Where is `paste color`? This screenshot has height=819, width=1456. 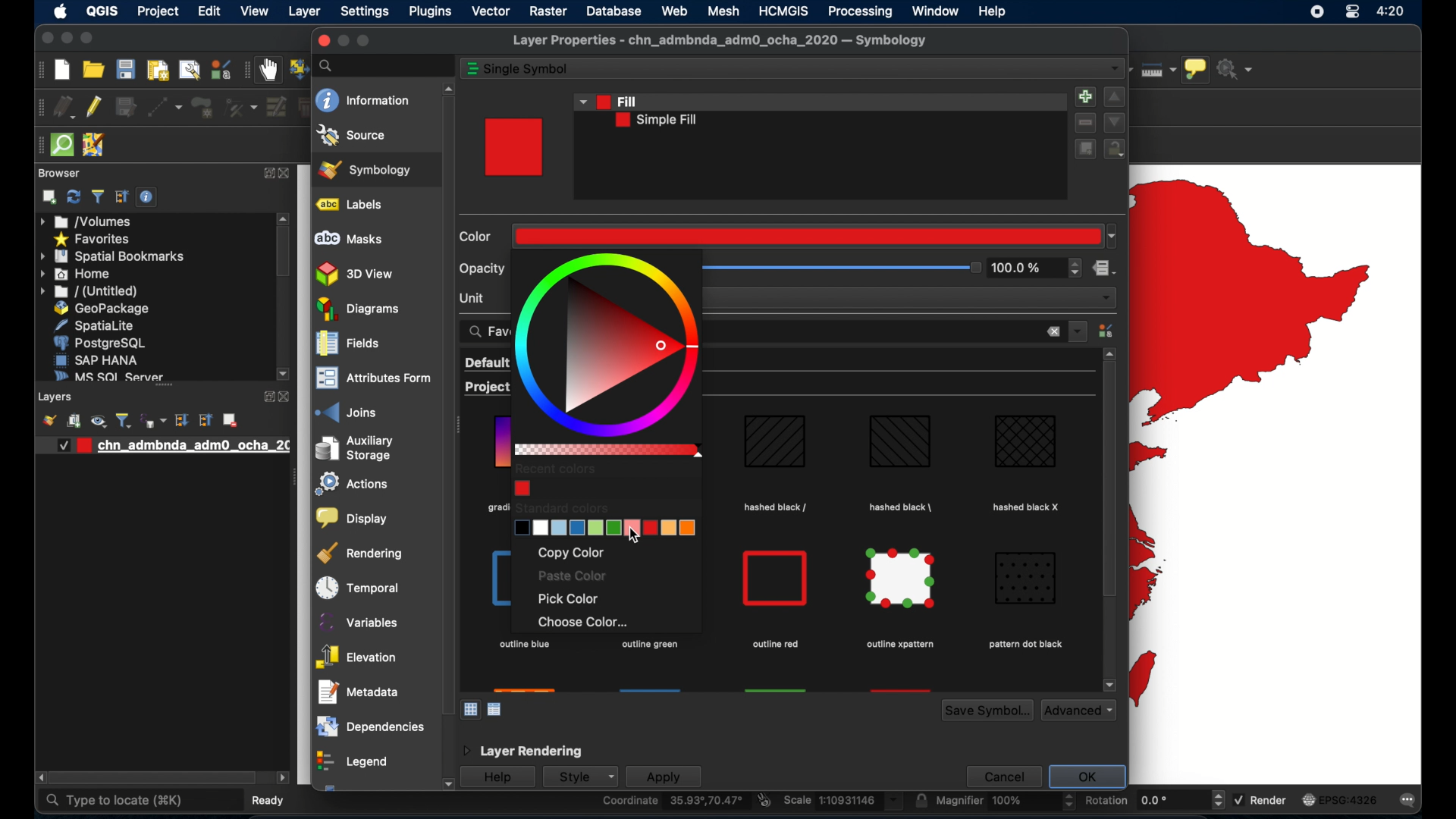
paste color is located at coordinates (571, 577).